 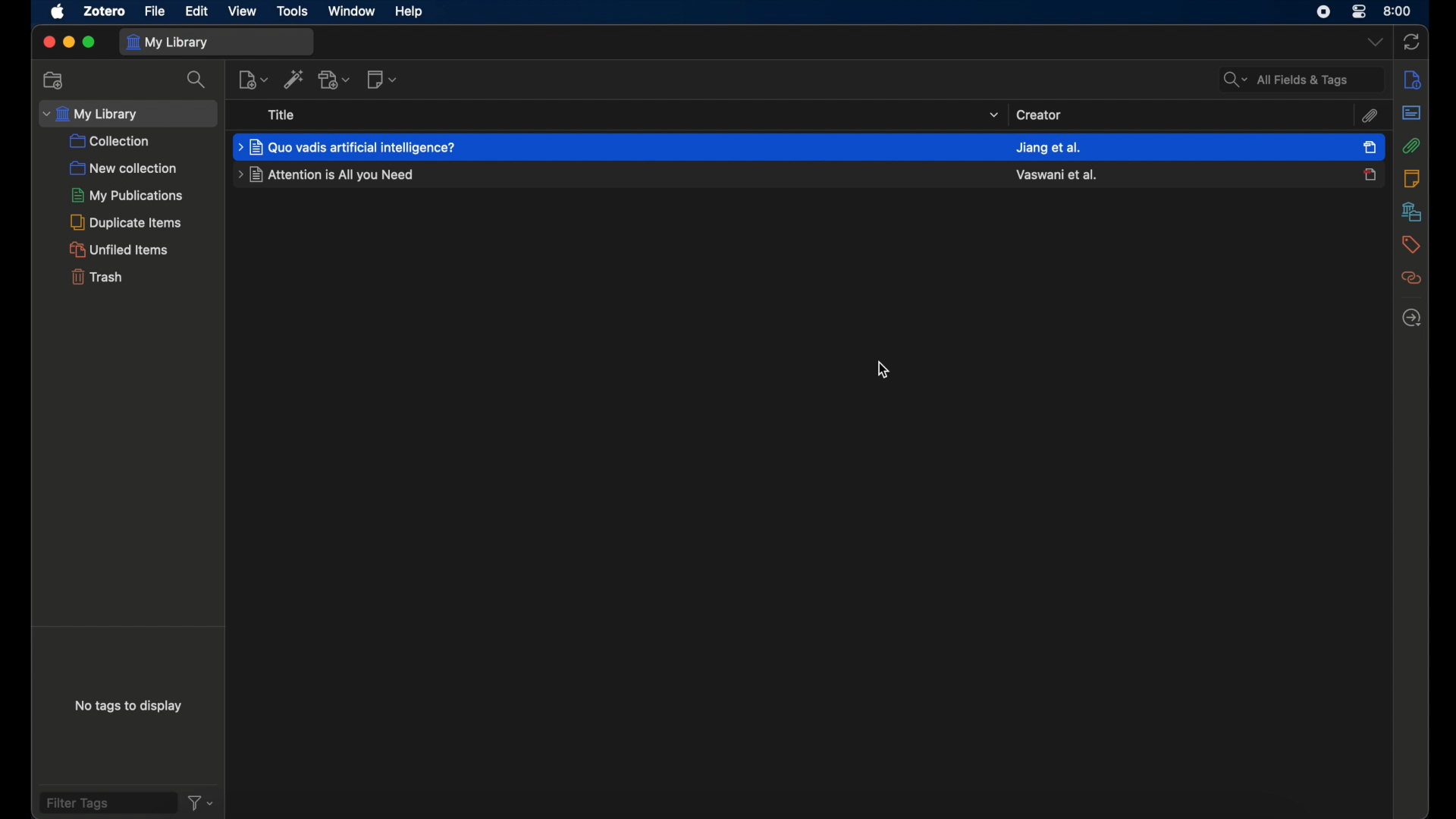 What do you see at coordinates (107, 802) in the screenshot?
I see `filter tags fields` at bounding box center [107, 802].